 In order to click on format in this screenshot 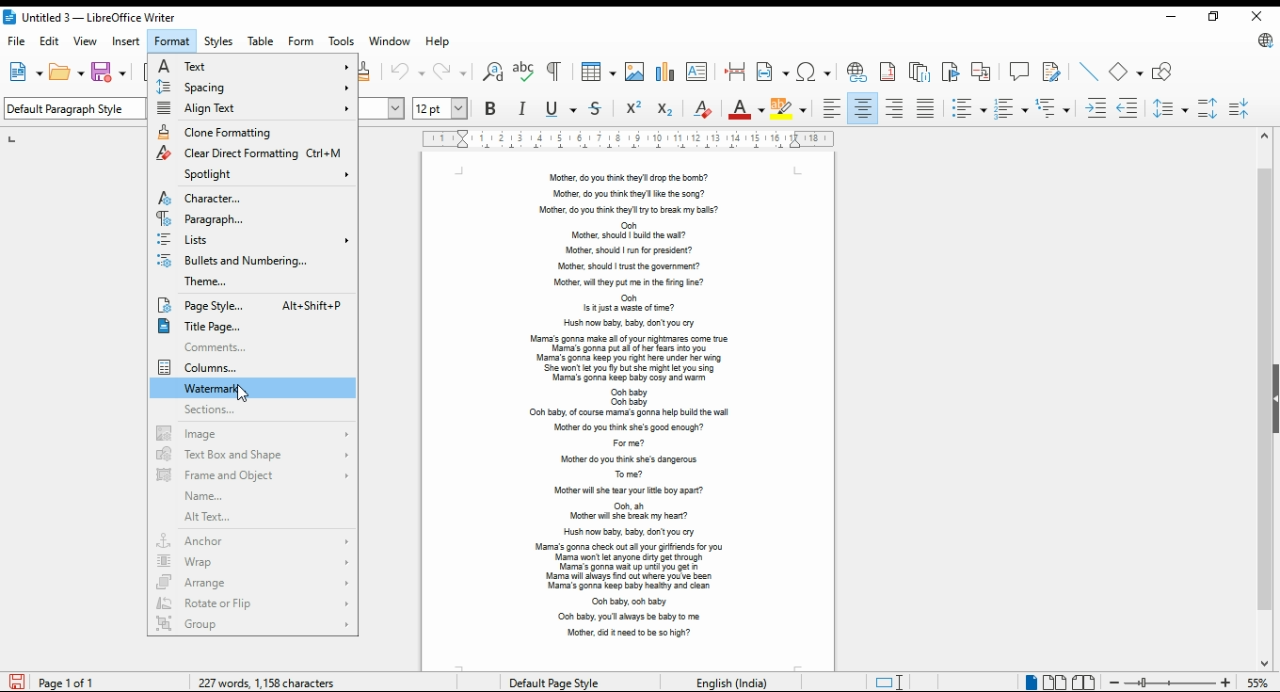, I will do `click(172, 40)`.